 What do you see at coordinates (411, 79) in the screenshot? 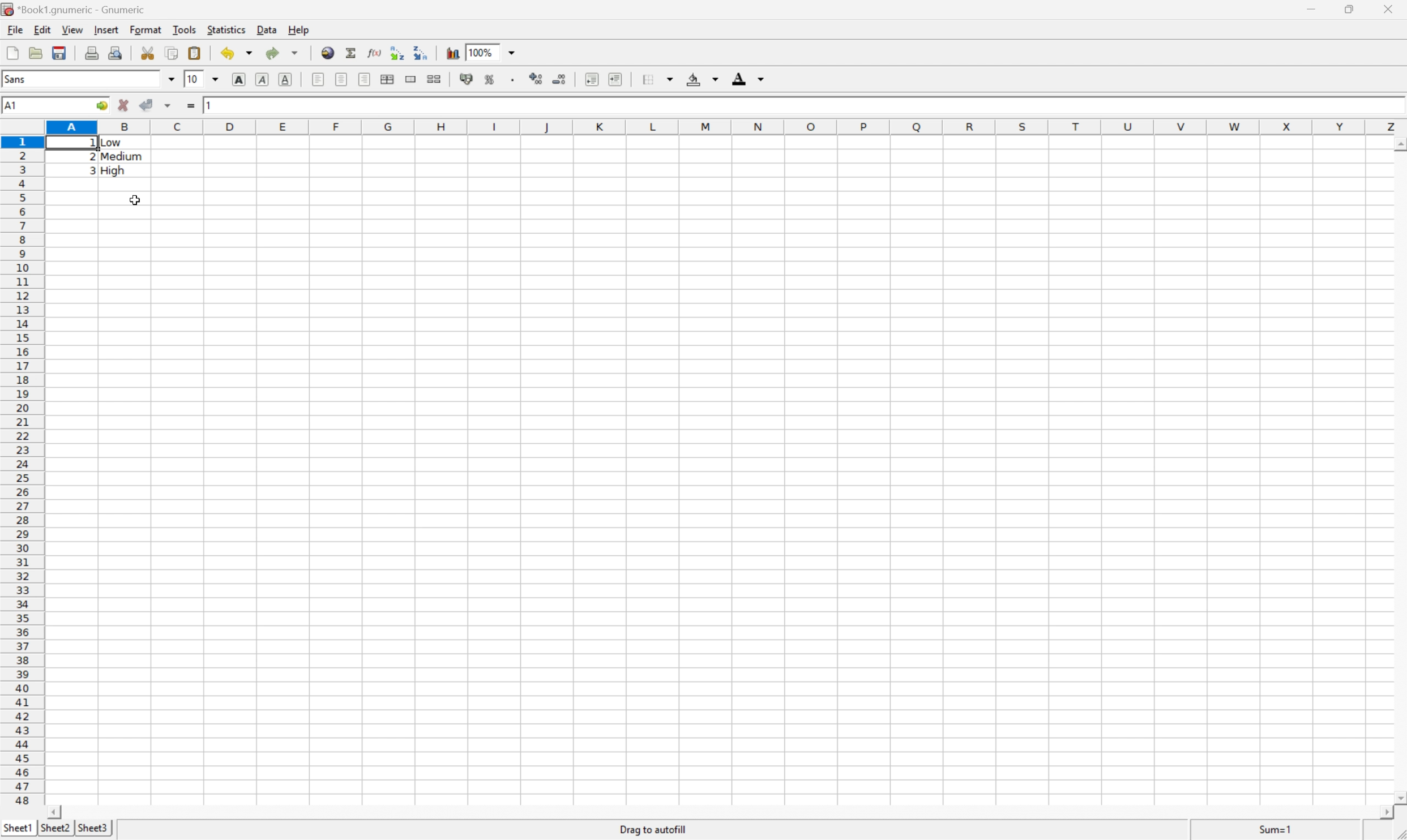
I see `Merge a range of cells` at bounding box center [411, 79].